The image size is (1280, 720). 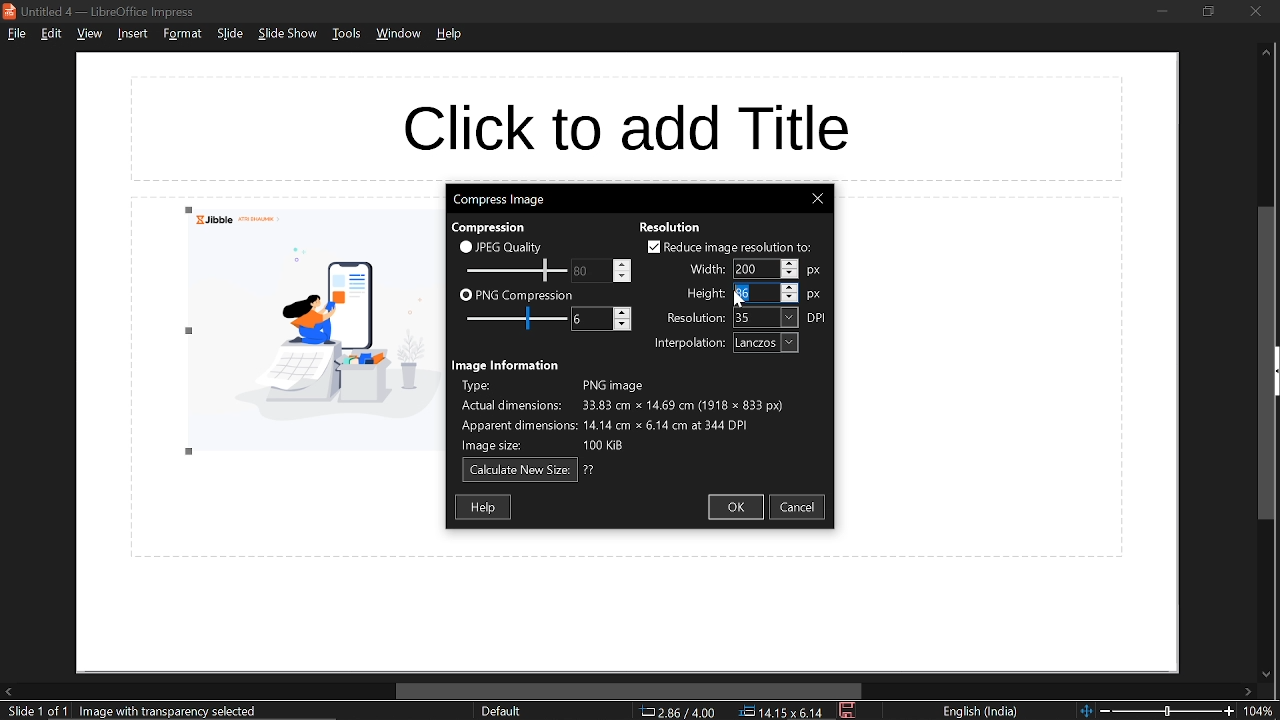 I want to click on PNG compression, so click(x=516, y=296).